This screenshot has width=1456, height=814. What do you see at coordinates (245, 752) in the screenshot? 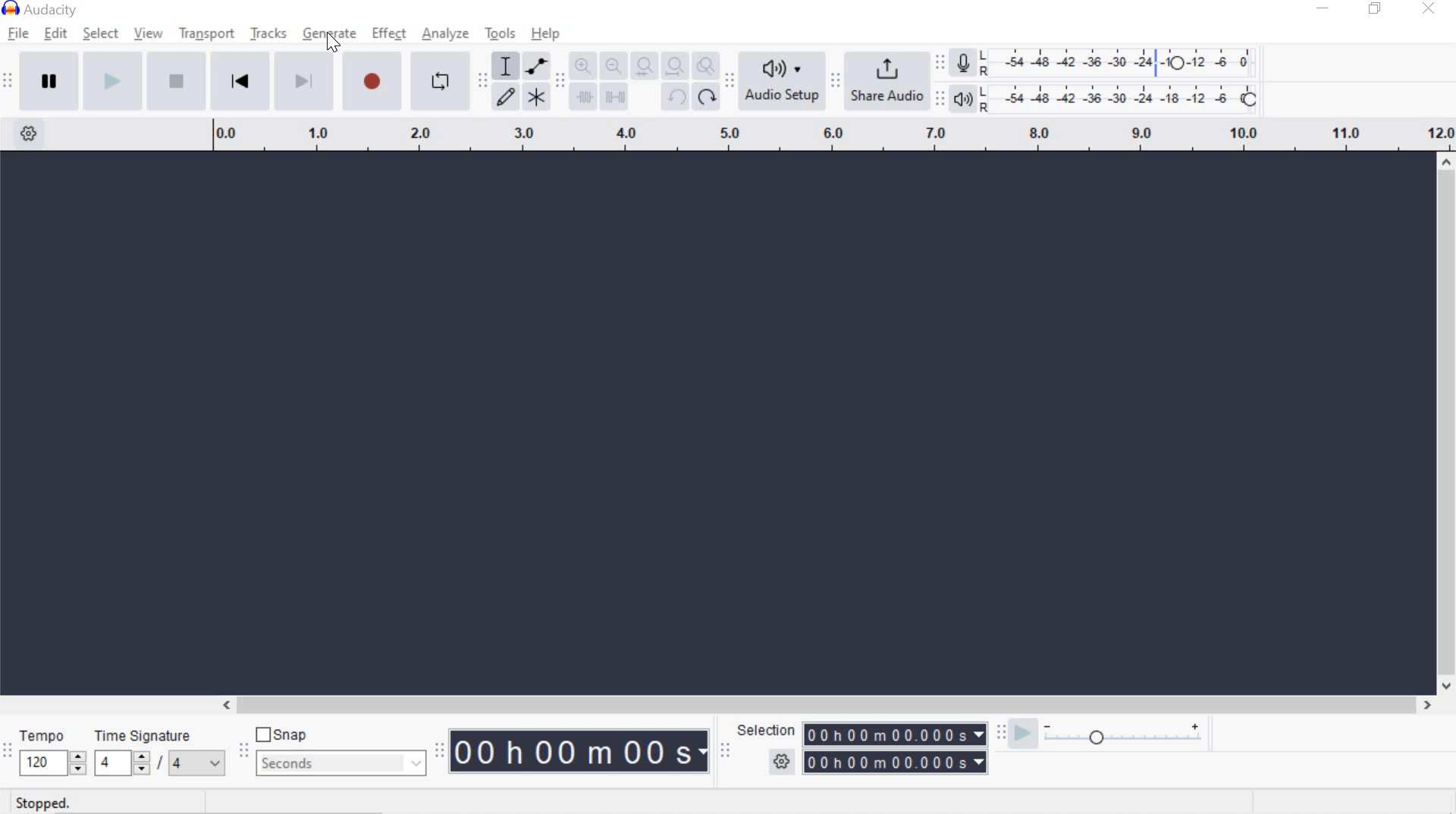
I see `Snapping Toolbar` at bounding box center [245, 752].